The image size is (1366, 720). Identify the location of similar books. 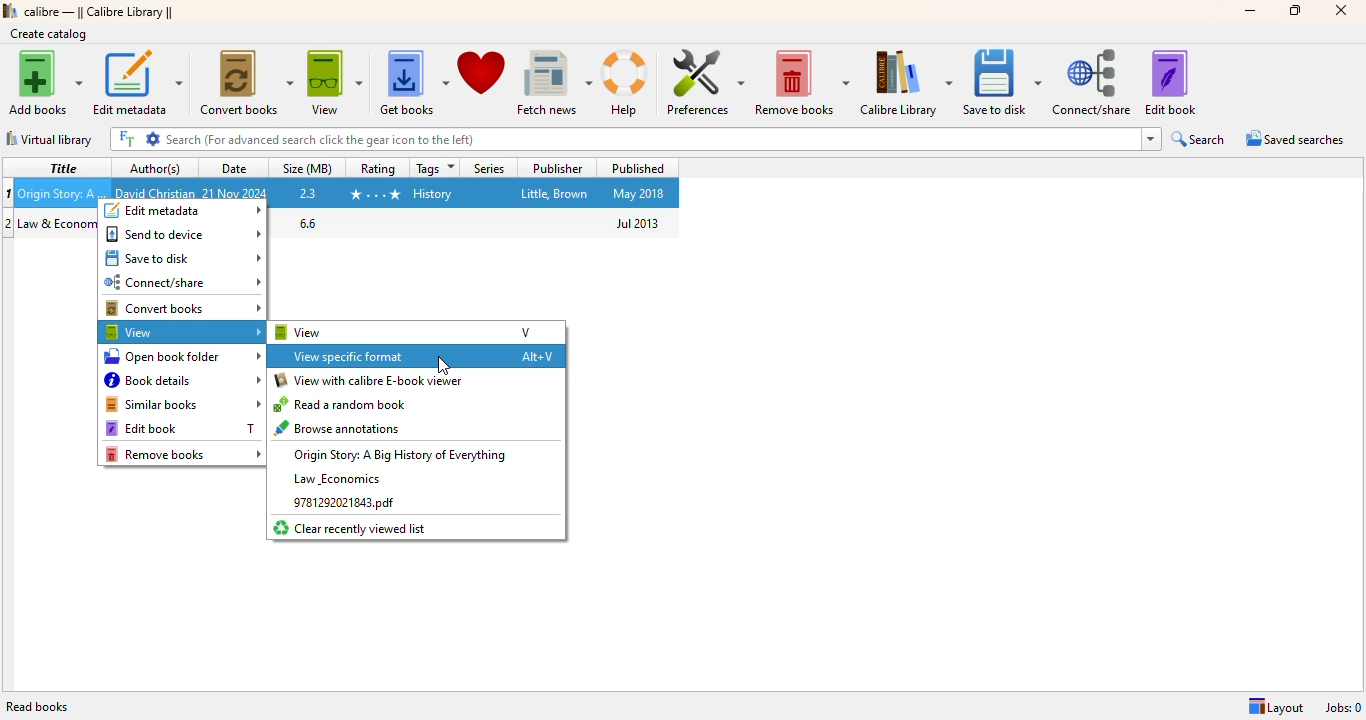
(182, 404).